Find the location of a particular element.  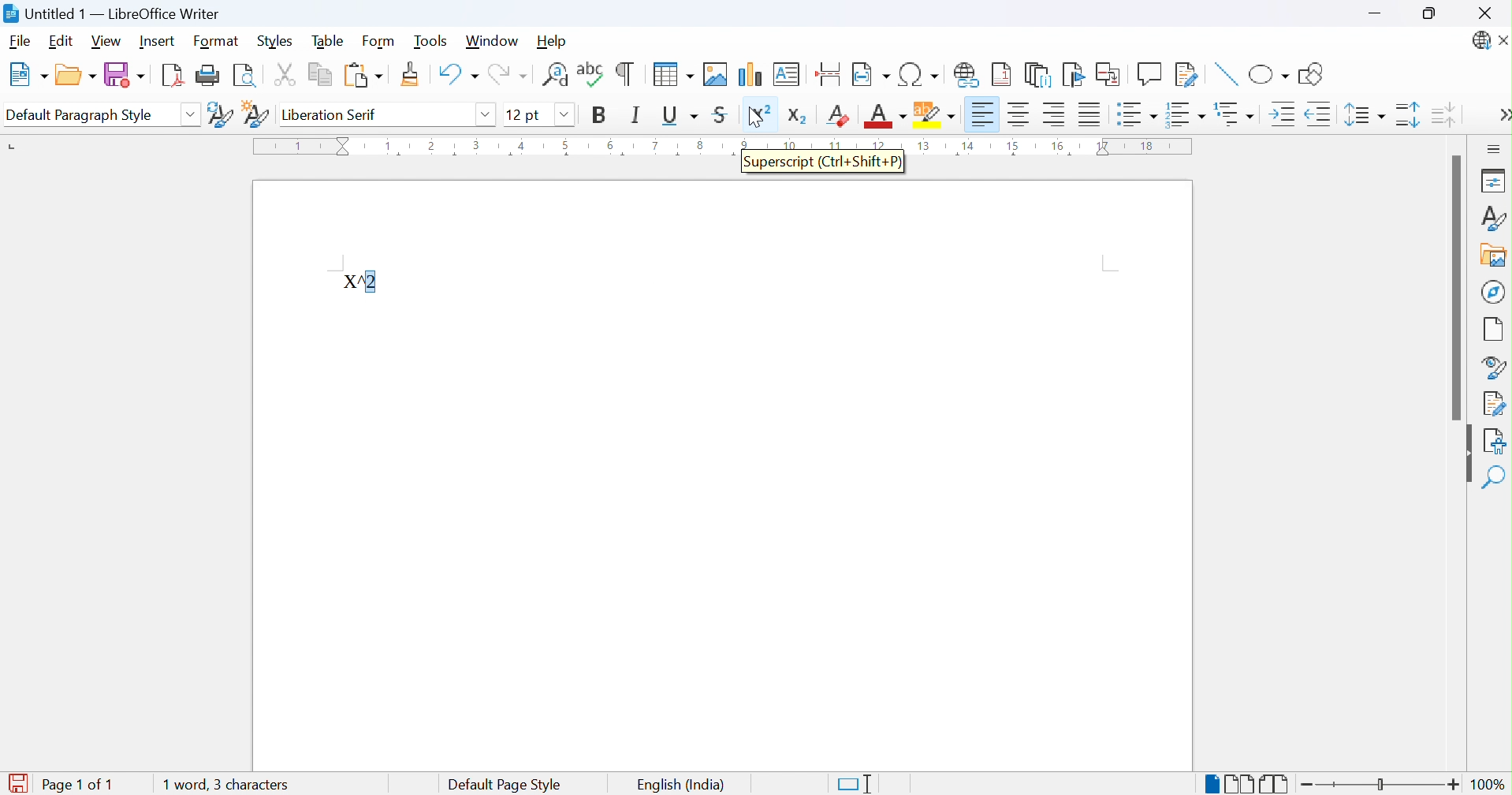

Insert special characters is located at coordinates (920, 74).